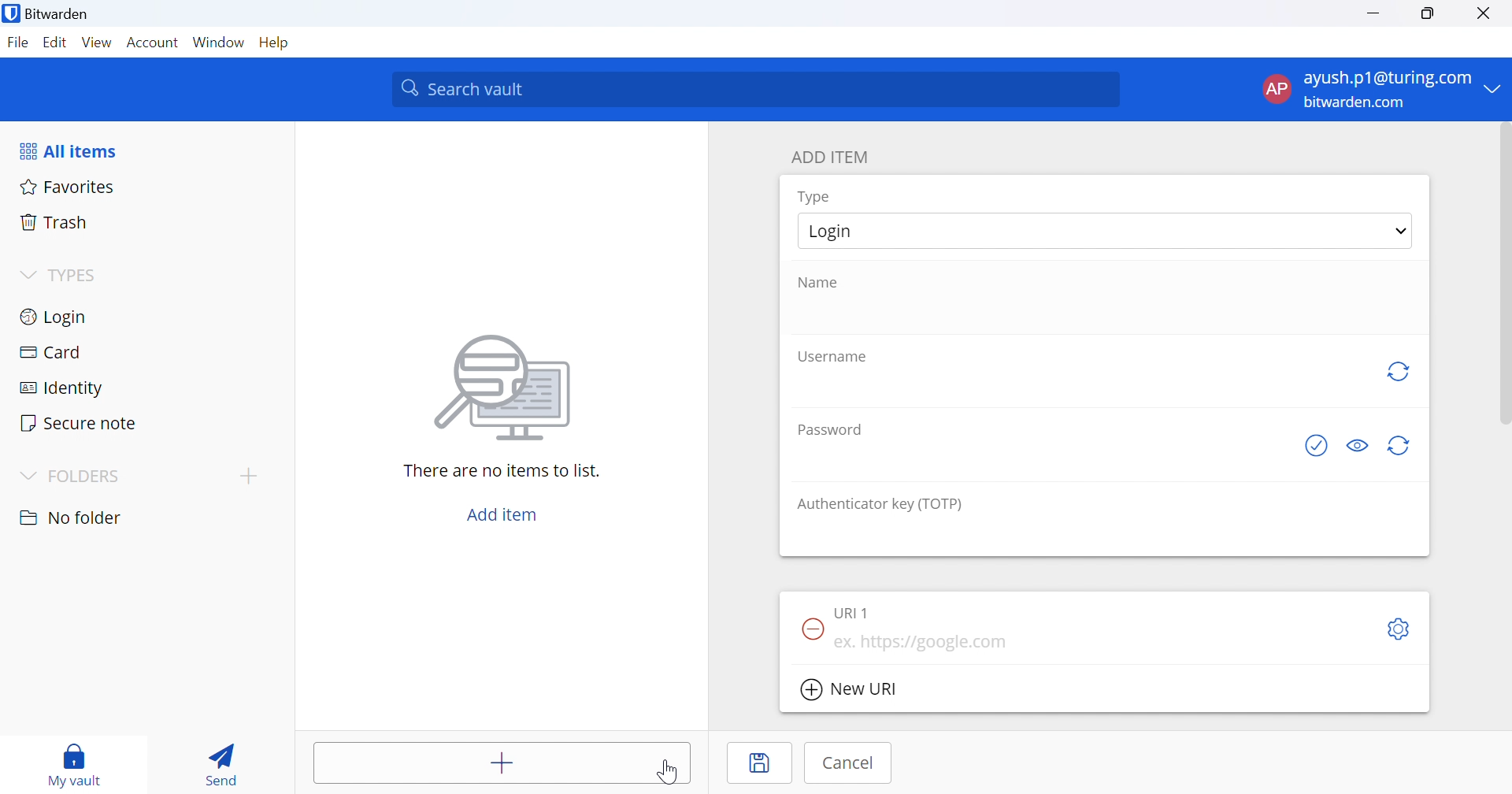 Image resolution: width=1512 pixels, height=794 pixels. Describe the element at coordinates (821, 283) in the screenshot. I see `Name` at that location.